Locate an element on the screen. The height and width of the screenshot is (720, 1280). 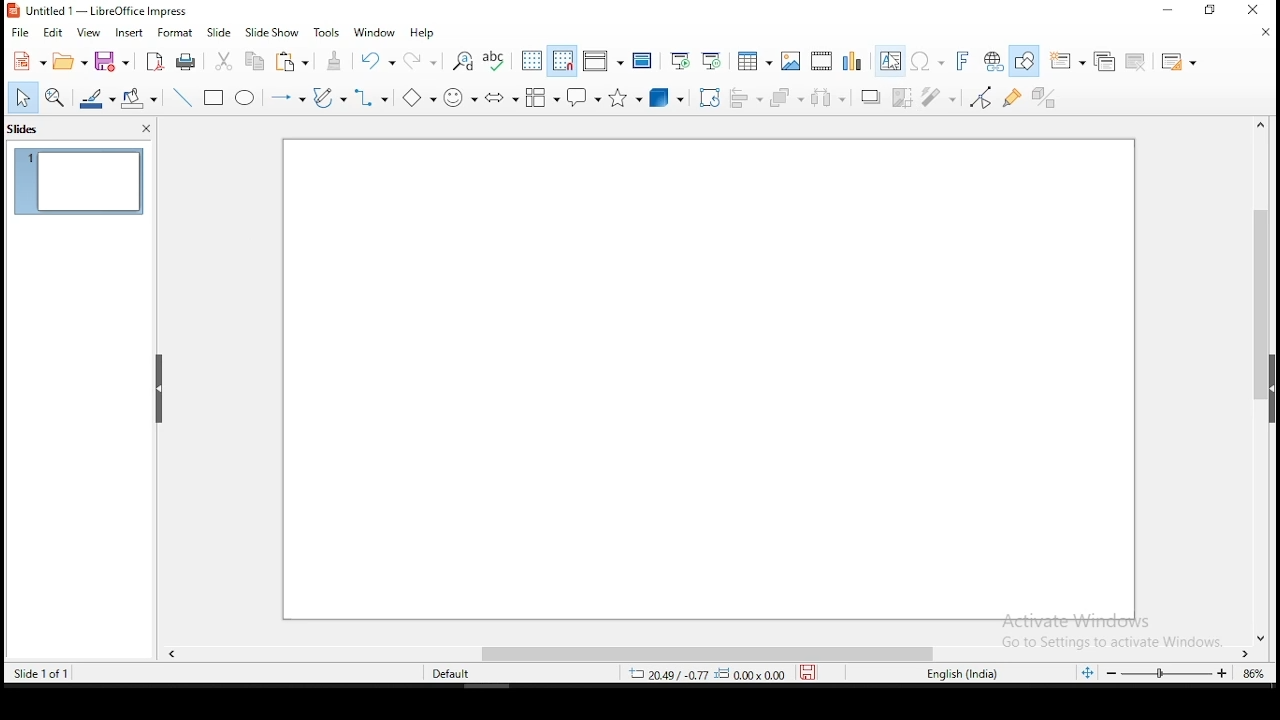
close is located at coordinates (1260, 34).